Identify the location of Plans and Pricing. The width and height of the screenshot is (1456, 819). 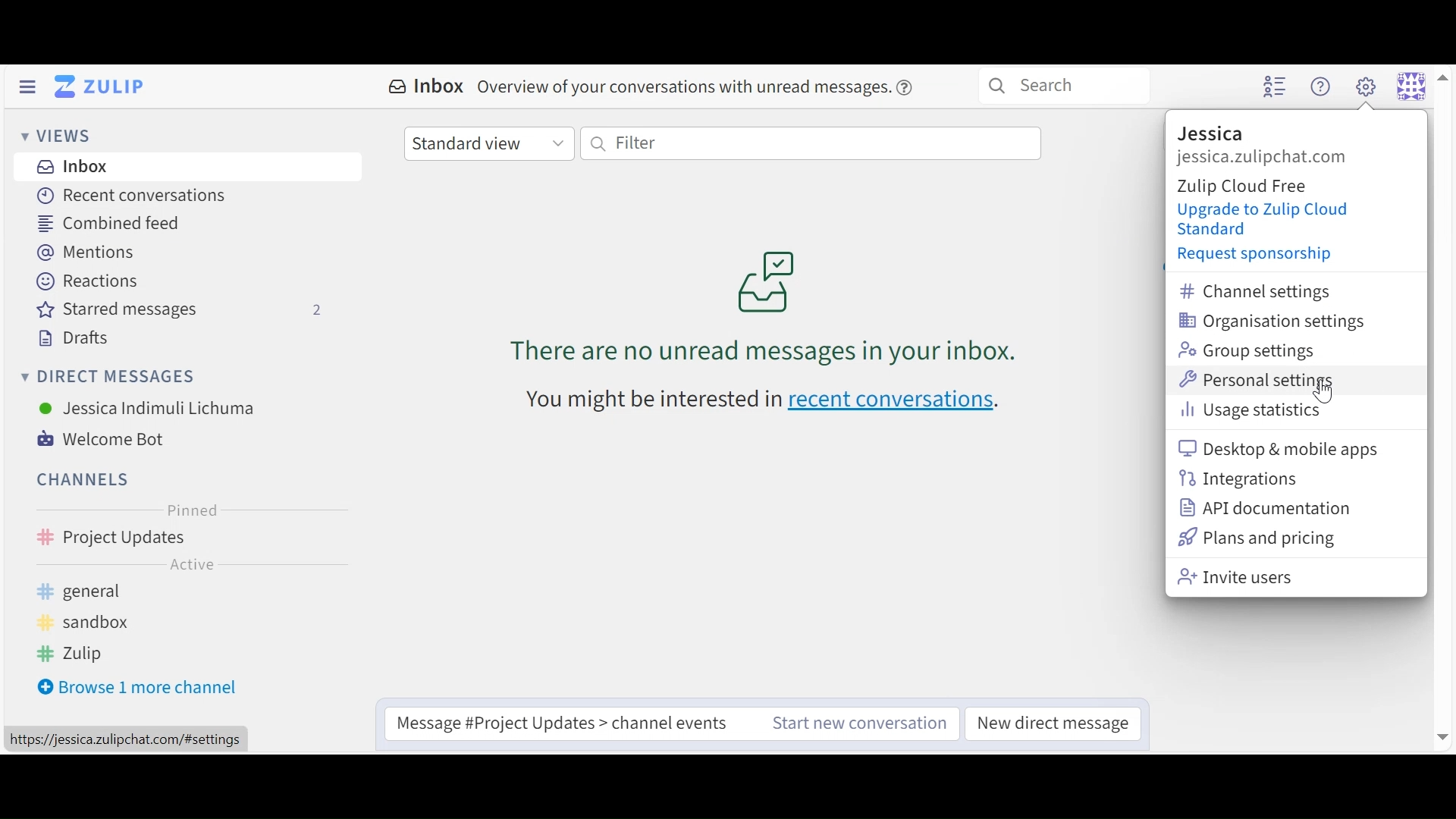
(1267, 539).